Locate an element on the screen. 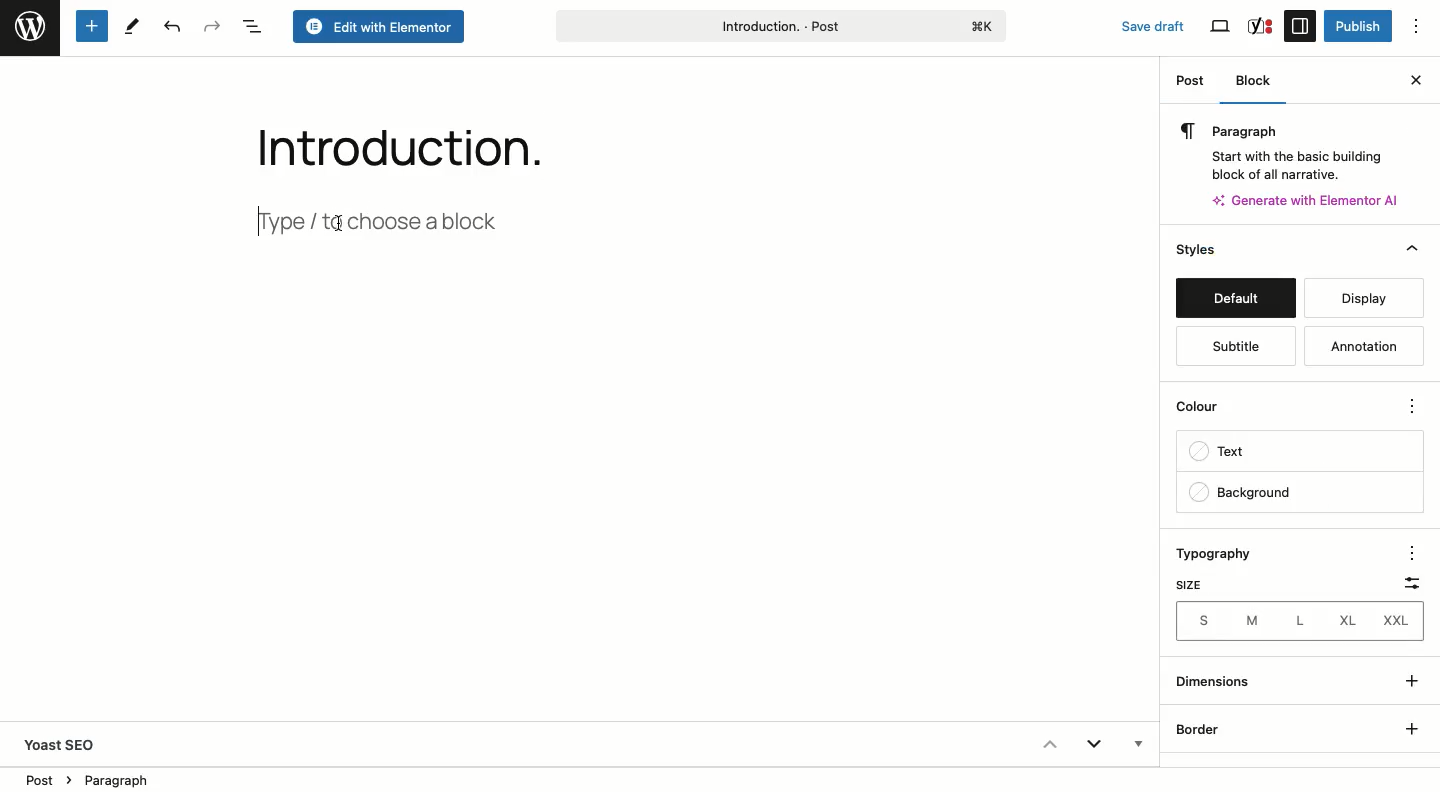 The image size is (1440, 792). Document overview is located at coordinates (253, 28).